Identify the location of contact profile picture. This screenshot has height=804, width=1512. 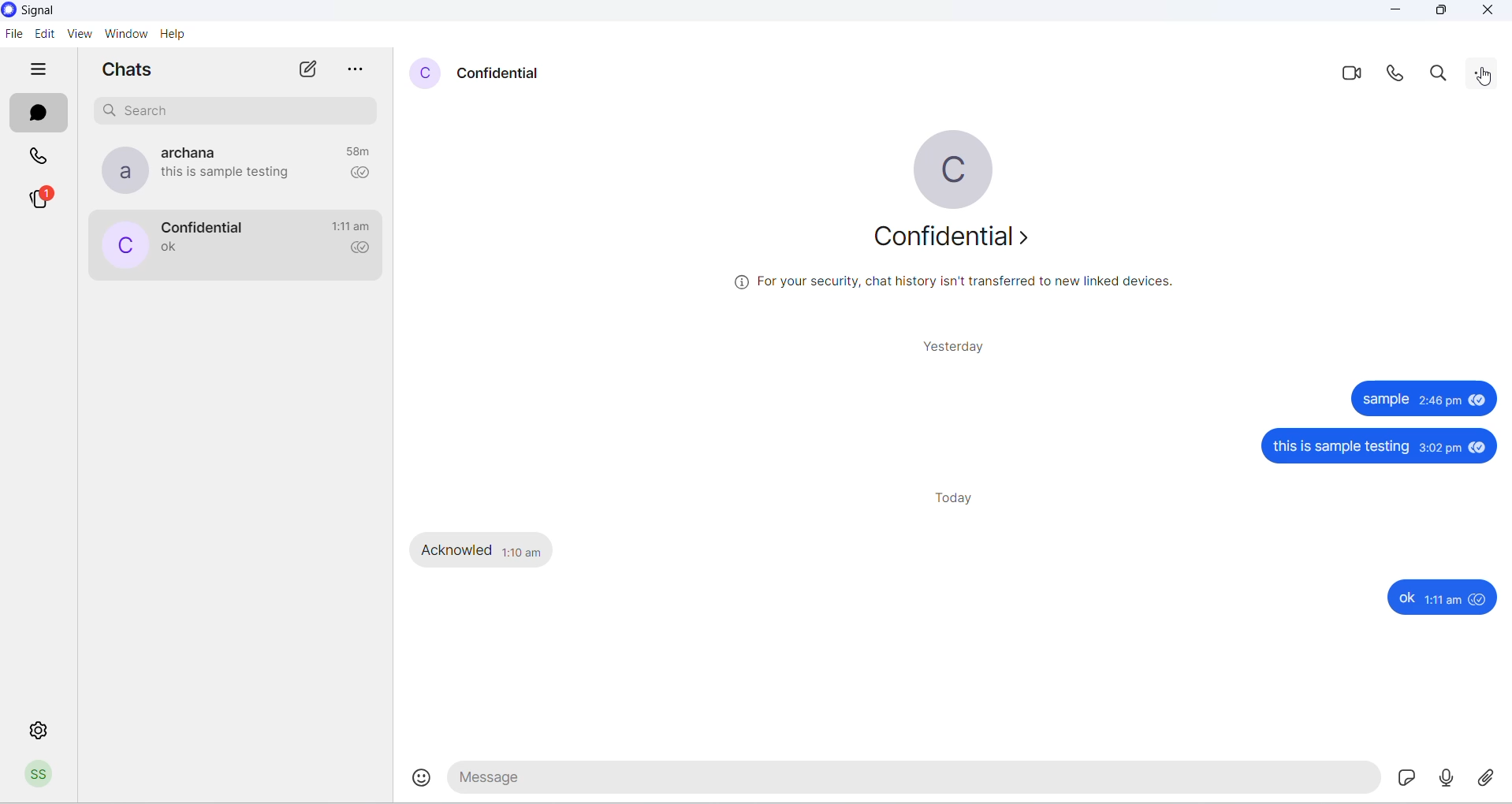
(426, 73).